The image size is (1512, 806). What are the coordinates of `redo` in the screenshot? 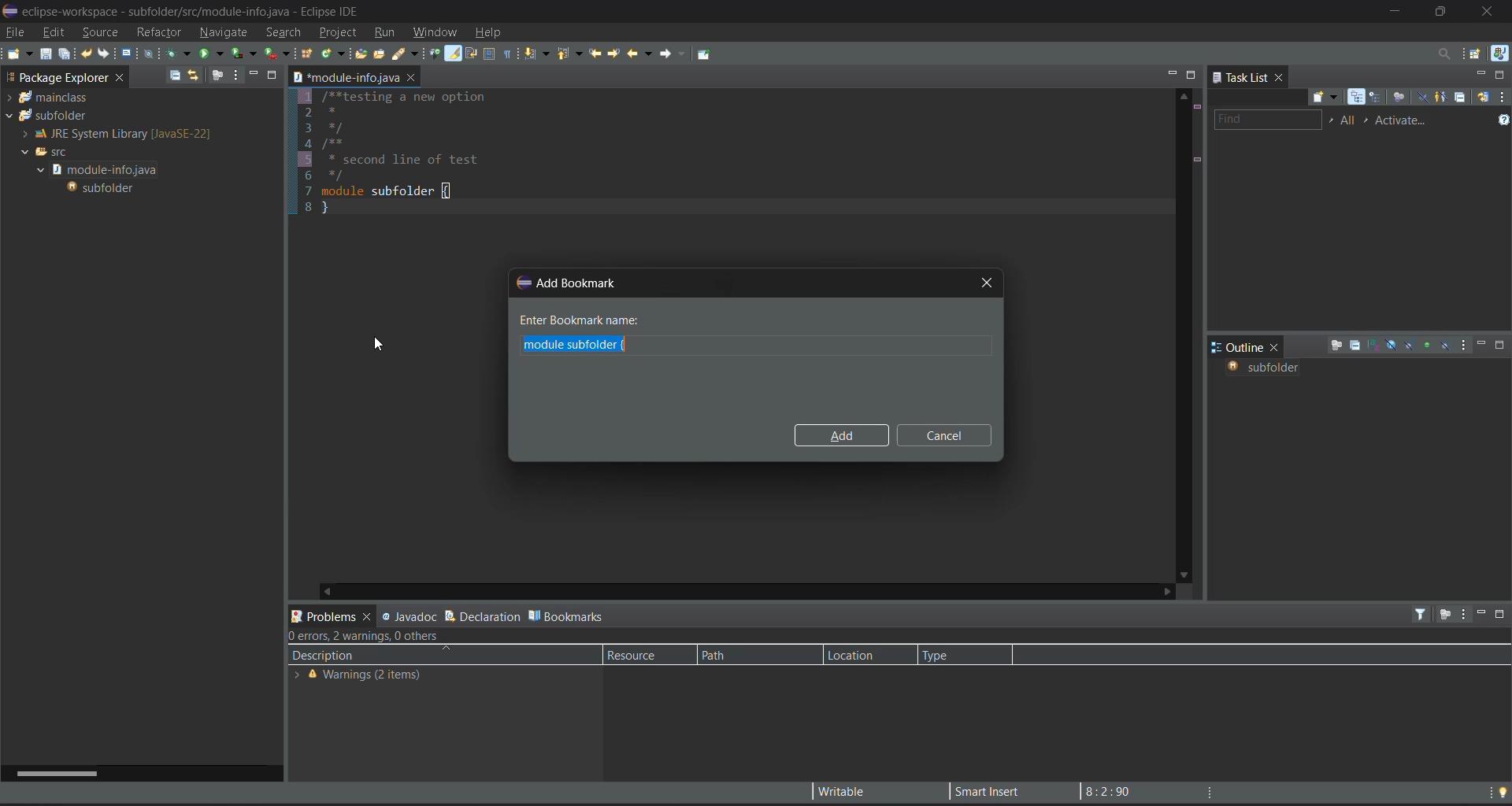 It's located at (105, 54).